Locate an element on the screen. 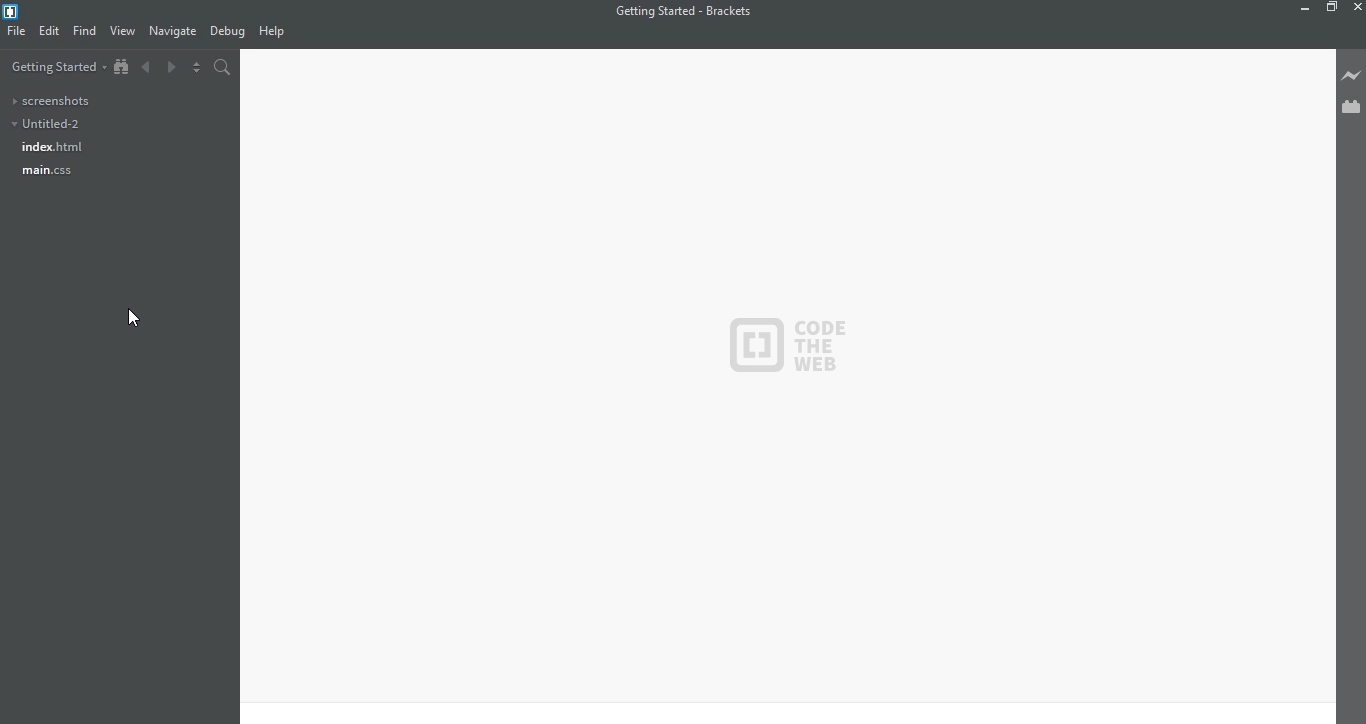 This screenshot has width=1366, height=724. screenshots is located at coordinates (55, 100).